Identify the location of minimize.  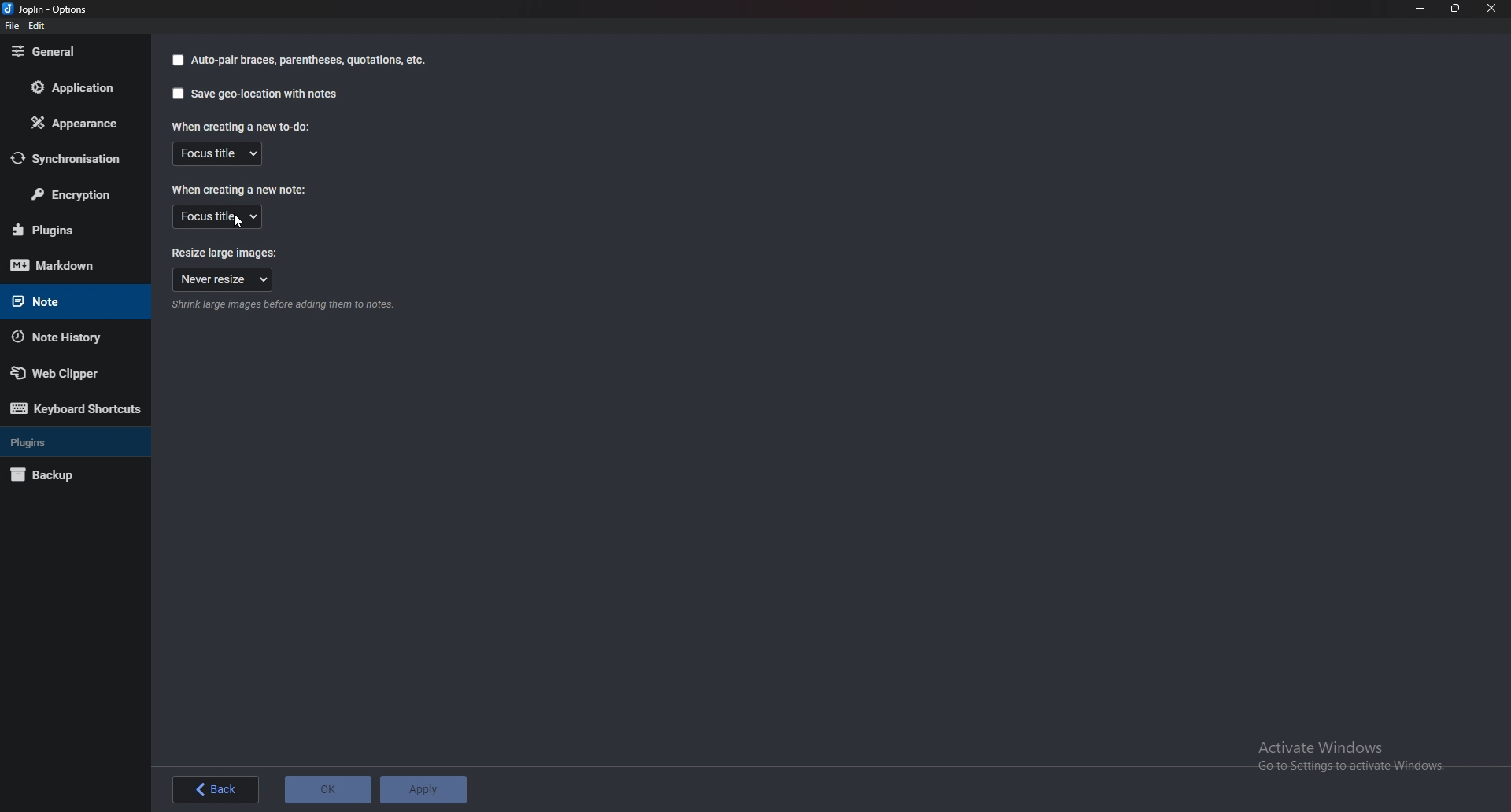
(1418, 9).